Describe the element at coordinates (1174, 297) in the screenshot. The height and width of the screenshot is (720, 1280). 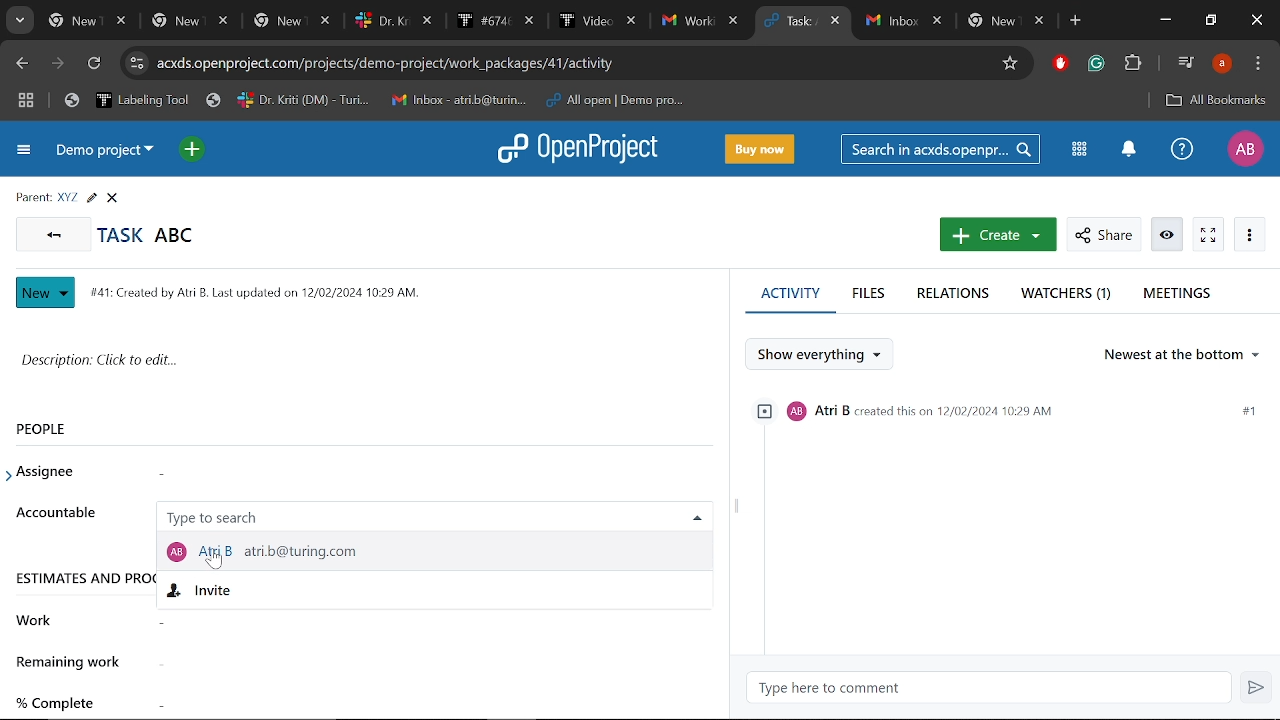
I see `Meetings` at that location.